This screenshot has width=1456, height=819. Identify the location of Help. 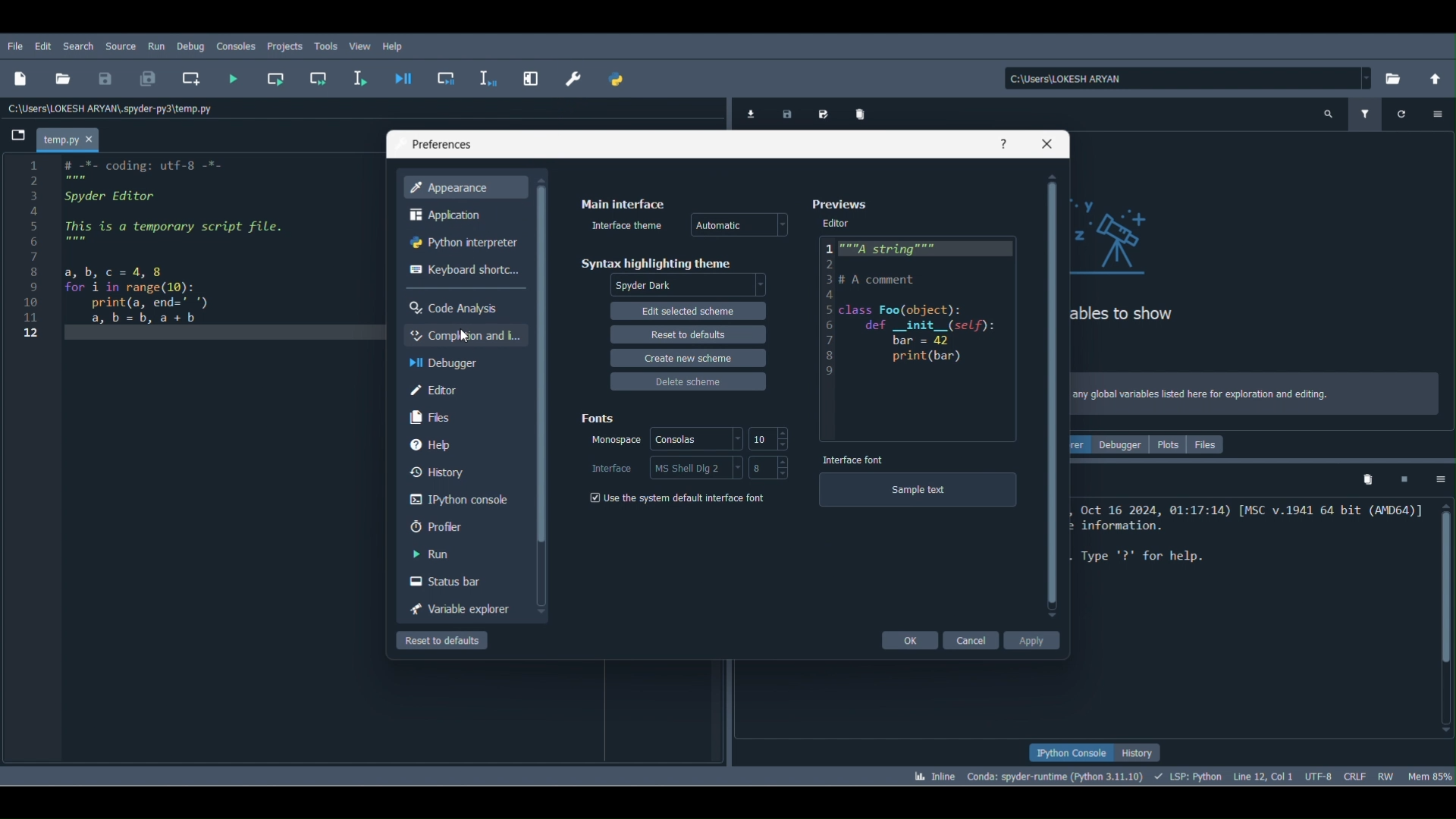
(438, 447).